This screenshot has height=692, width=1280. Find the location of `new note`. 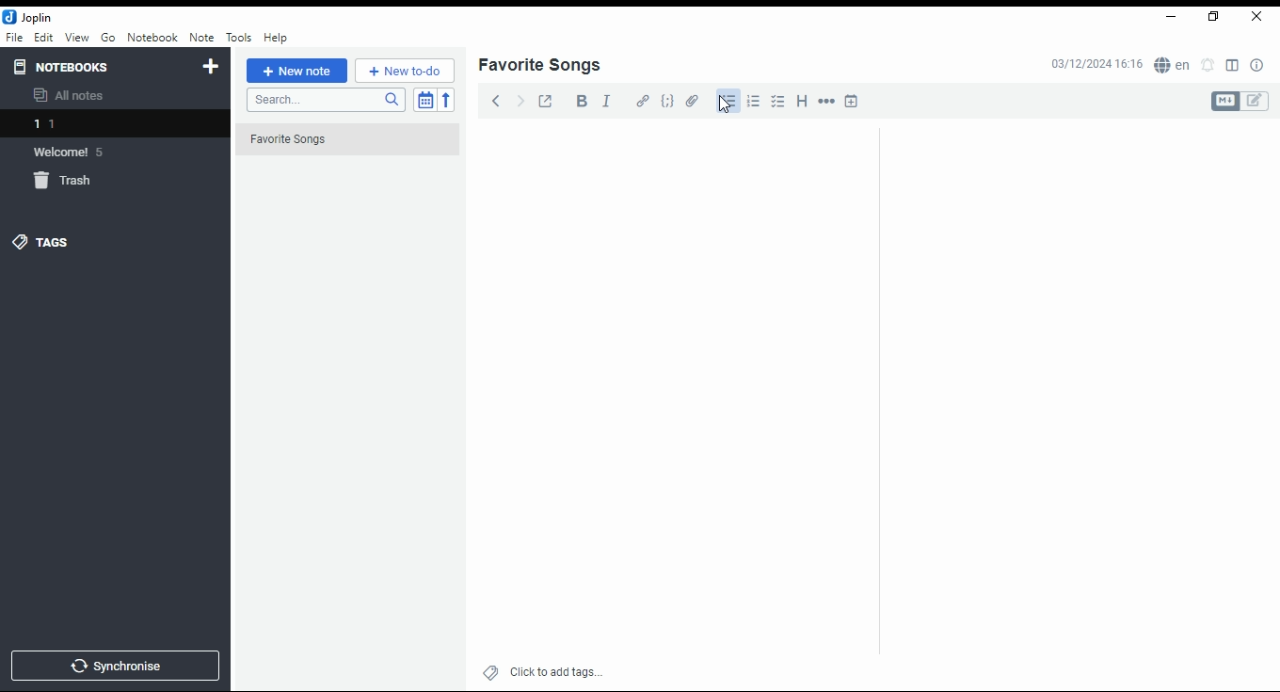

new note is located at coordinates (297, 71).